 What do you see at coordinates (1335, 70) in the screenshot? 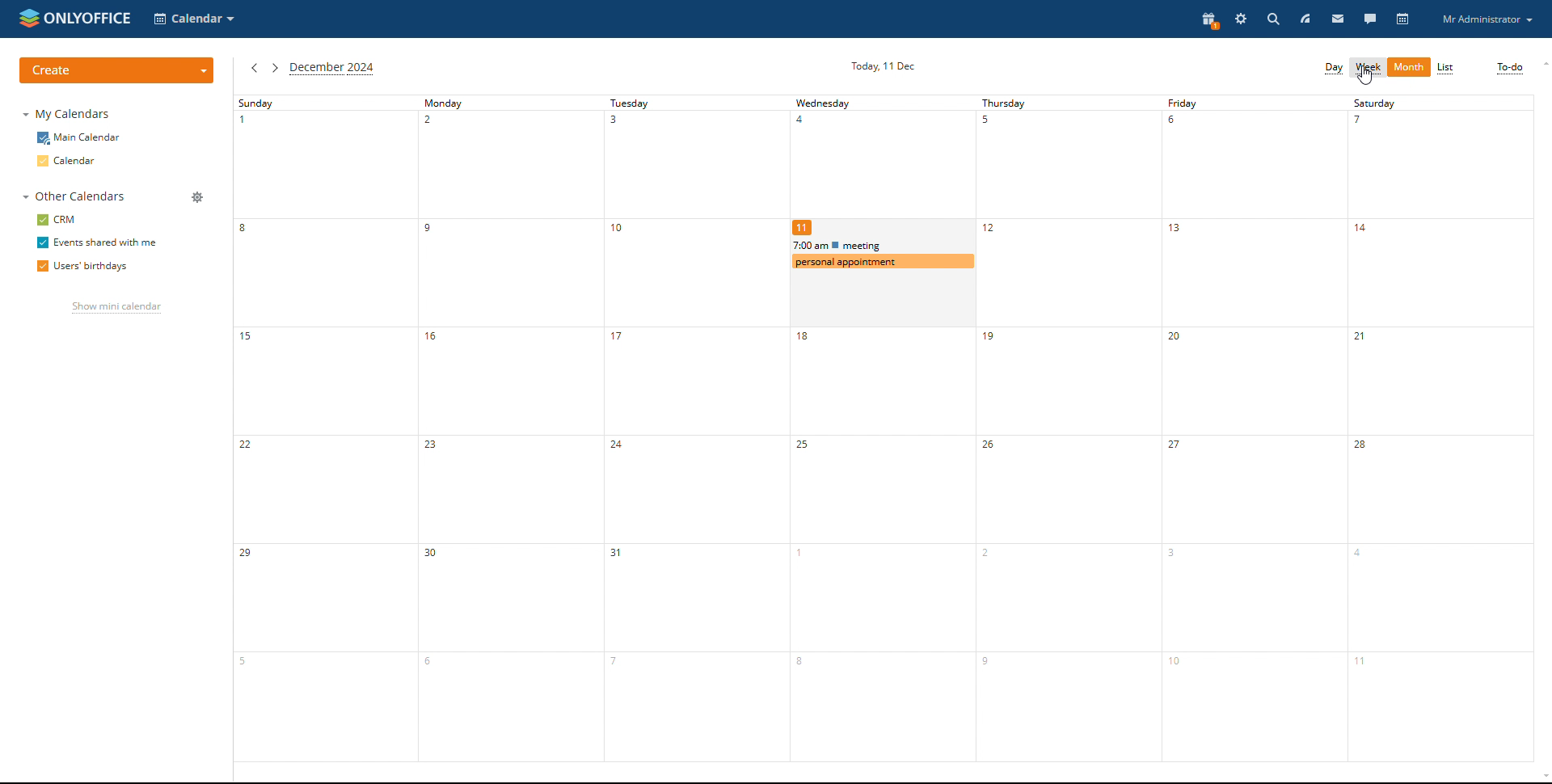
I see `day view` at bounding box center [1335, 70].